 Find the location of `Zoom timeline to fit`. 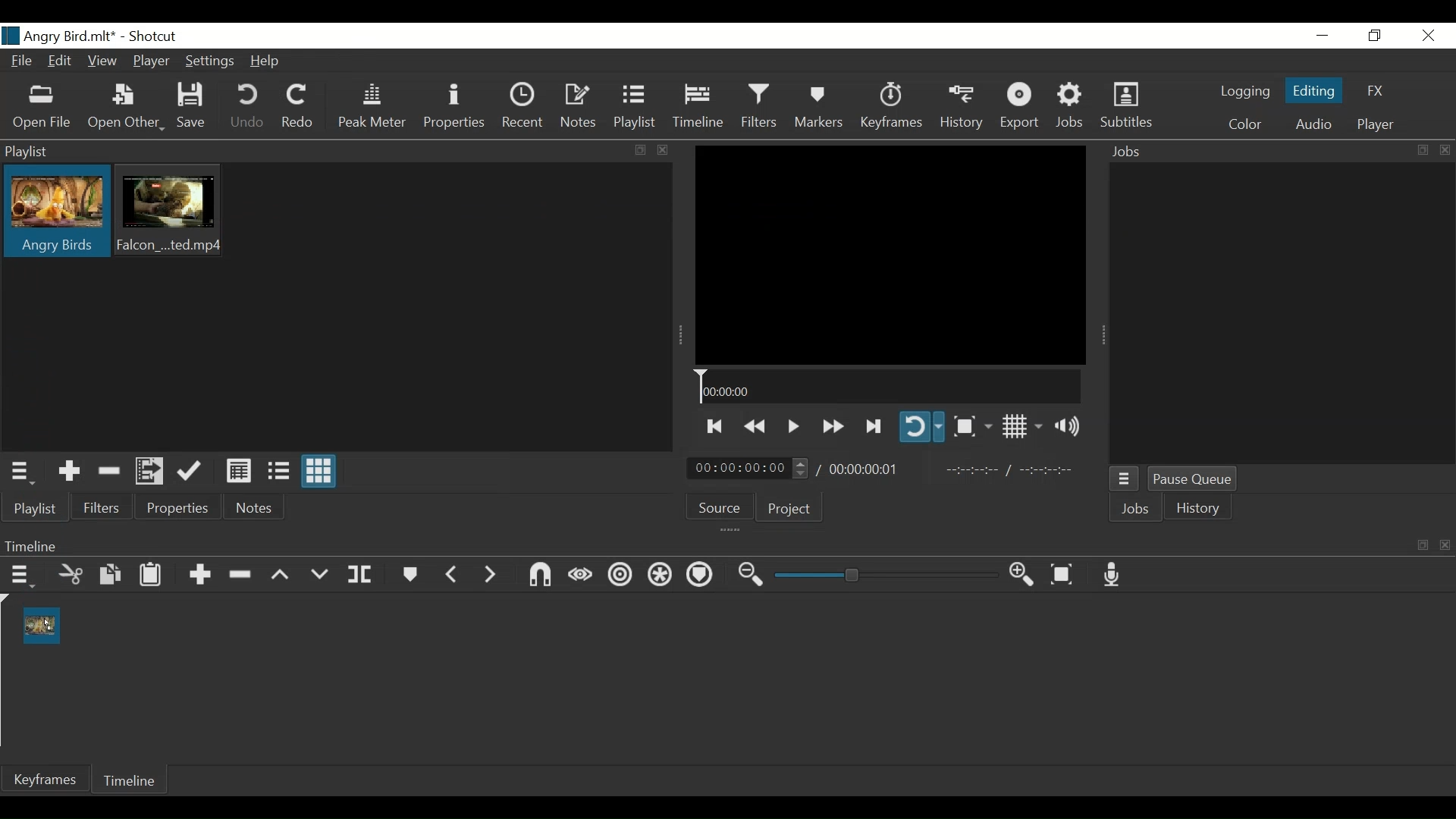

Zoom timeline to fit is located at coordinates (1062, 576).